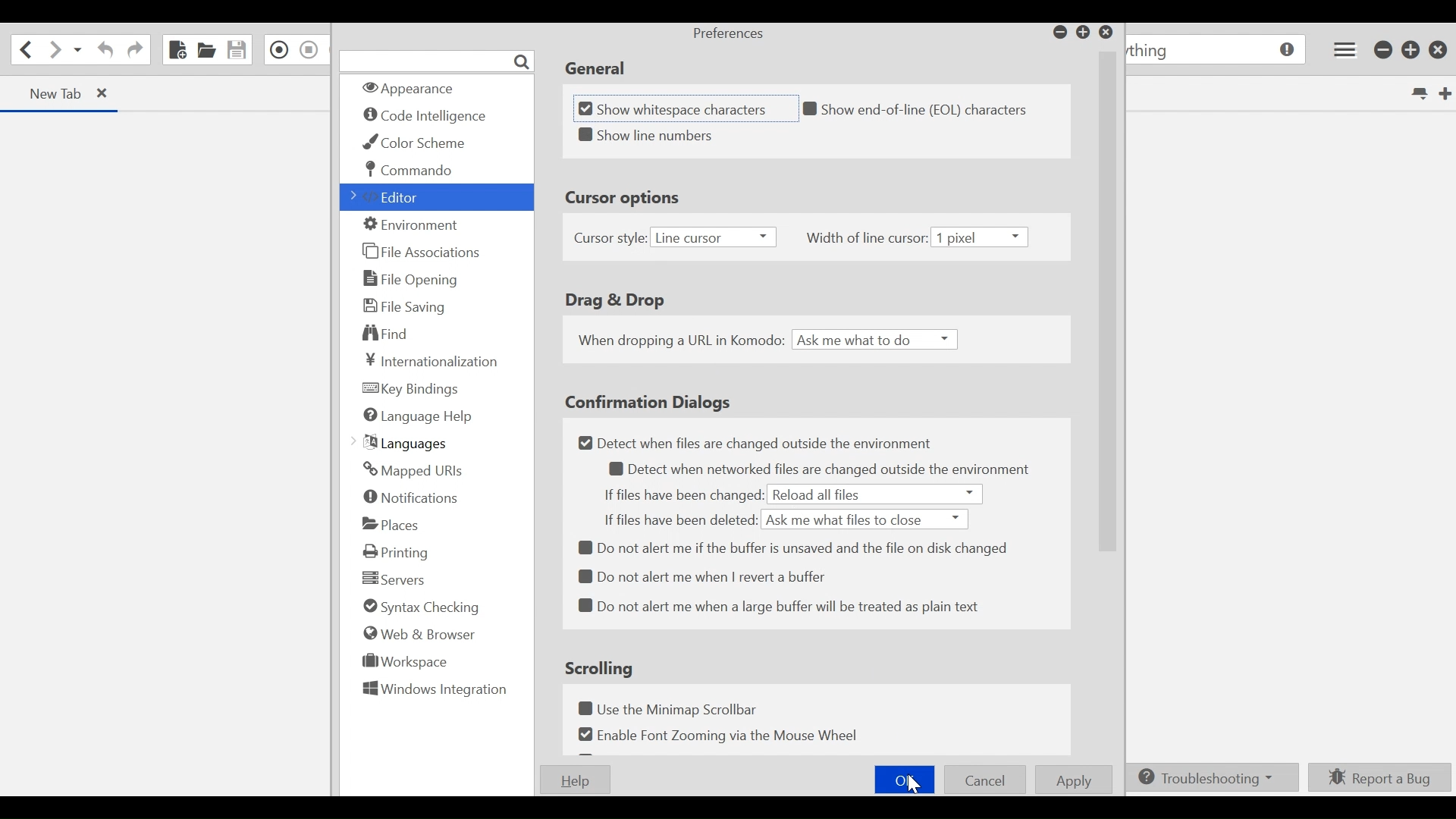 This screenshot has width=1456, height=819. Describe the element at coordinates (868, 239) in the screenshot. I see `Width of line cursor:` at that location.